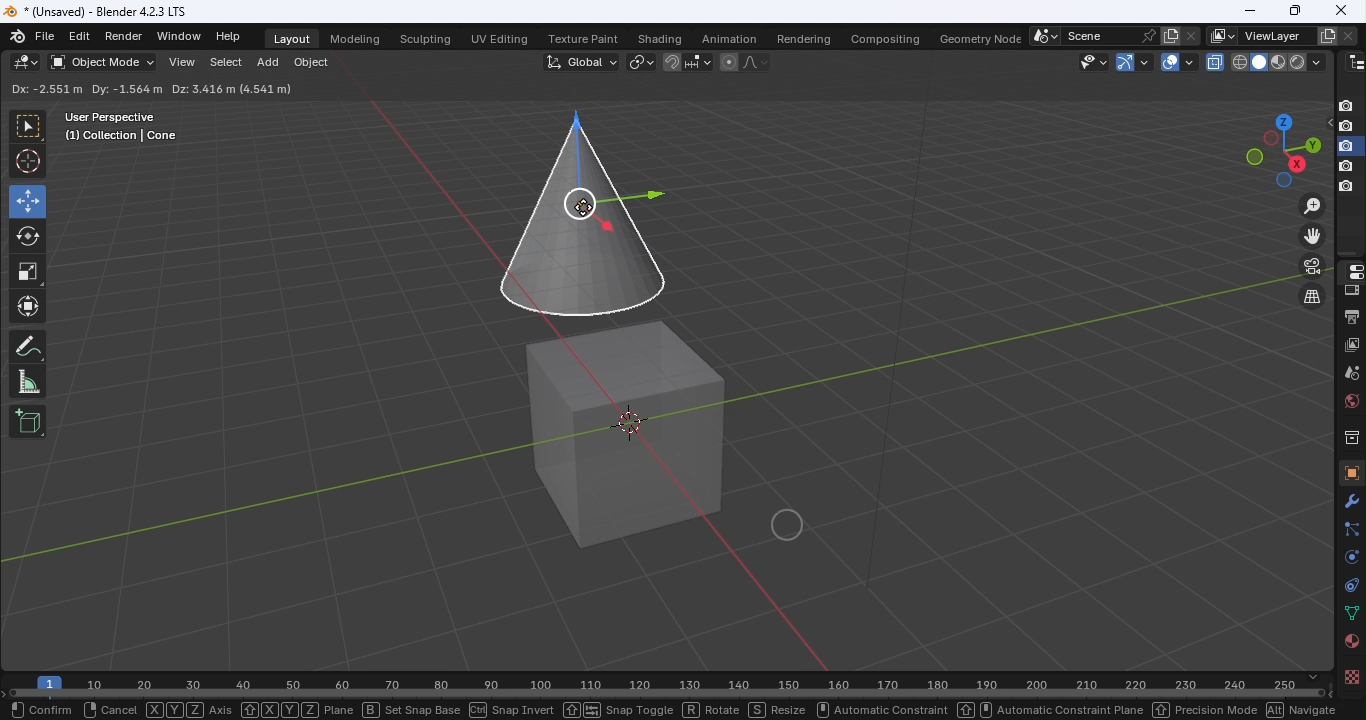 The height and width of the screenshot is (720, 1366). Describe the element at coordinates (27, 349) in the screenshot. I see `Annotate` at that location.